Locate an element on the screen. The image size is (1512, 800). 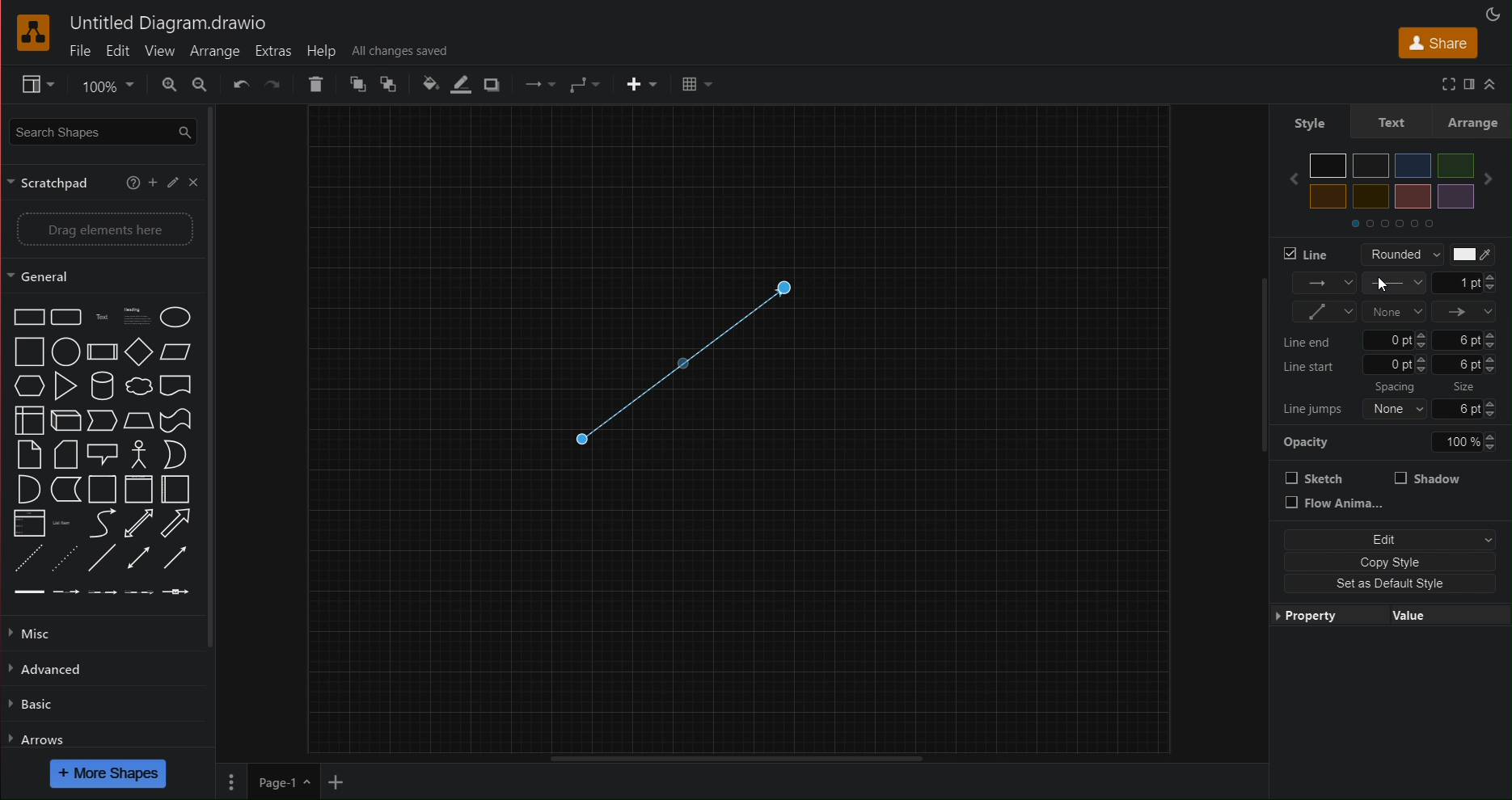
Undo is located at coordinates (241, 85).